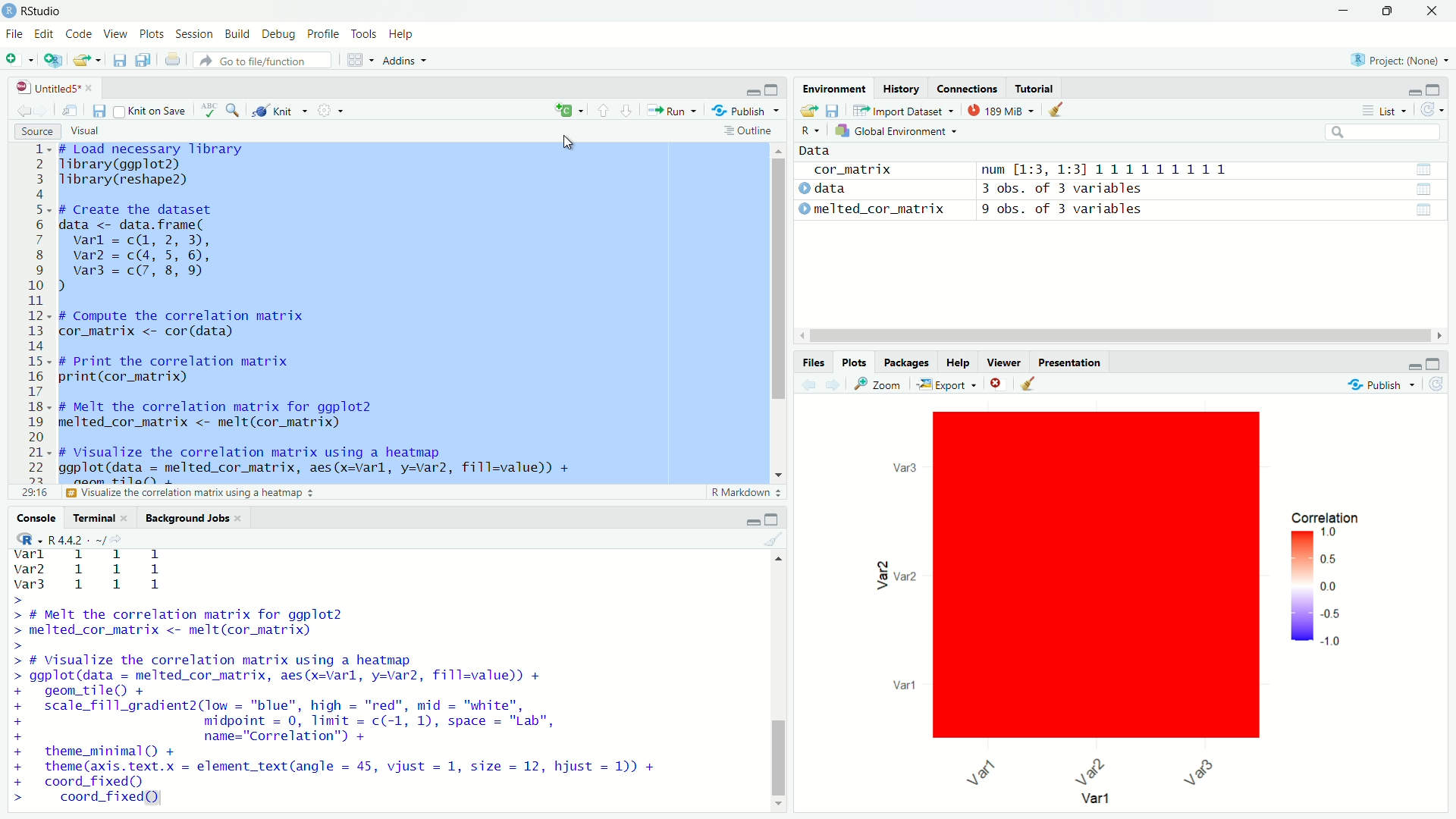 The height and width of the screenshot is (819, 1456). I want to click on minimize, so click(1414, 89).